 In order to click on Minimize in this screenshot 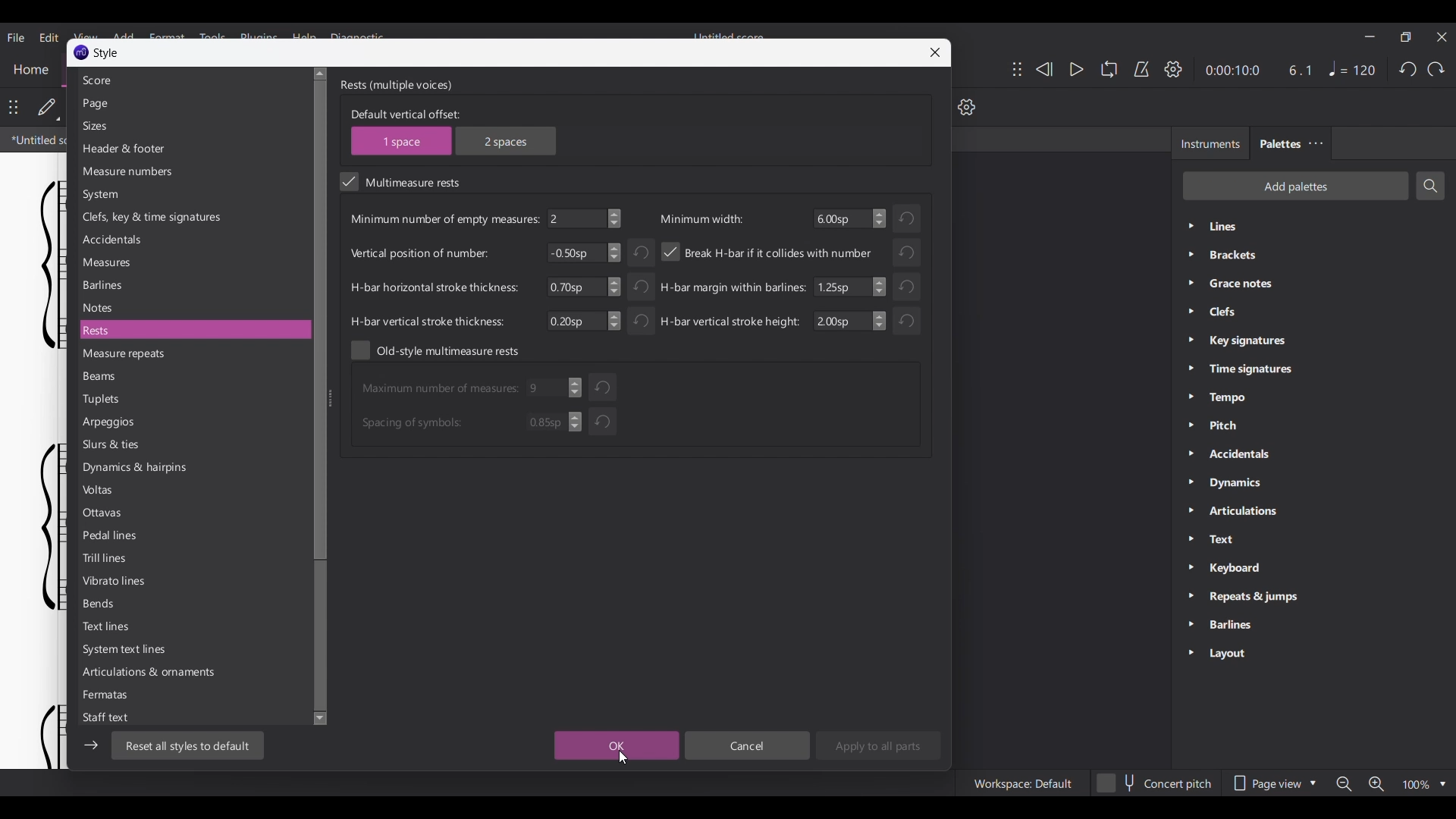, I will do `click(1370, 36)`.